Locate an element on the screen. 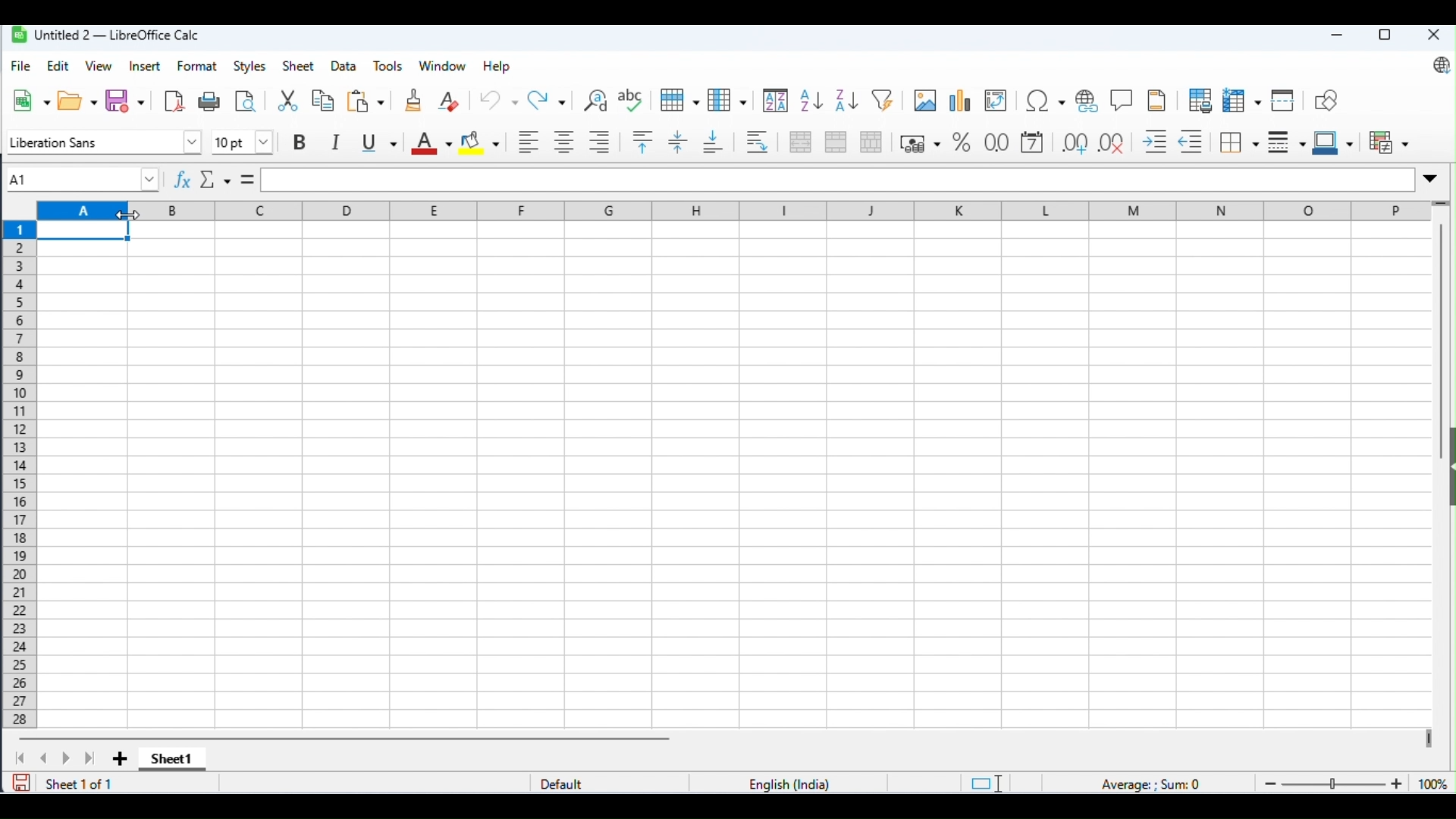 This screenshot has width=1456, height=819. redo is located at coordinates (549, 99).